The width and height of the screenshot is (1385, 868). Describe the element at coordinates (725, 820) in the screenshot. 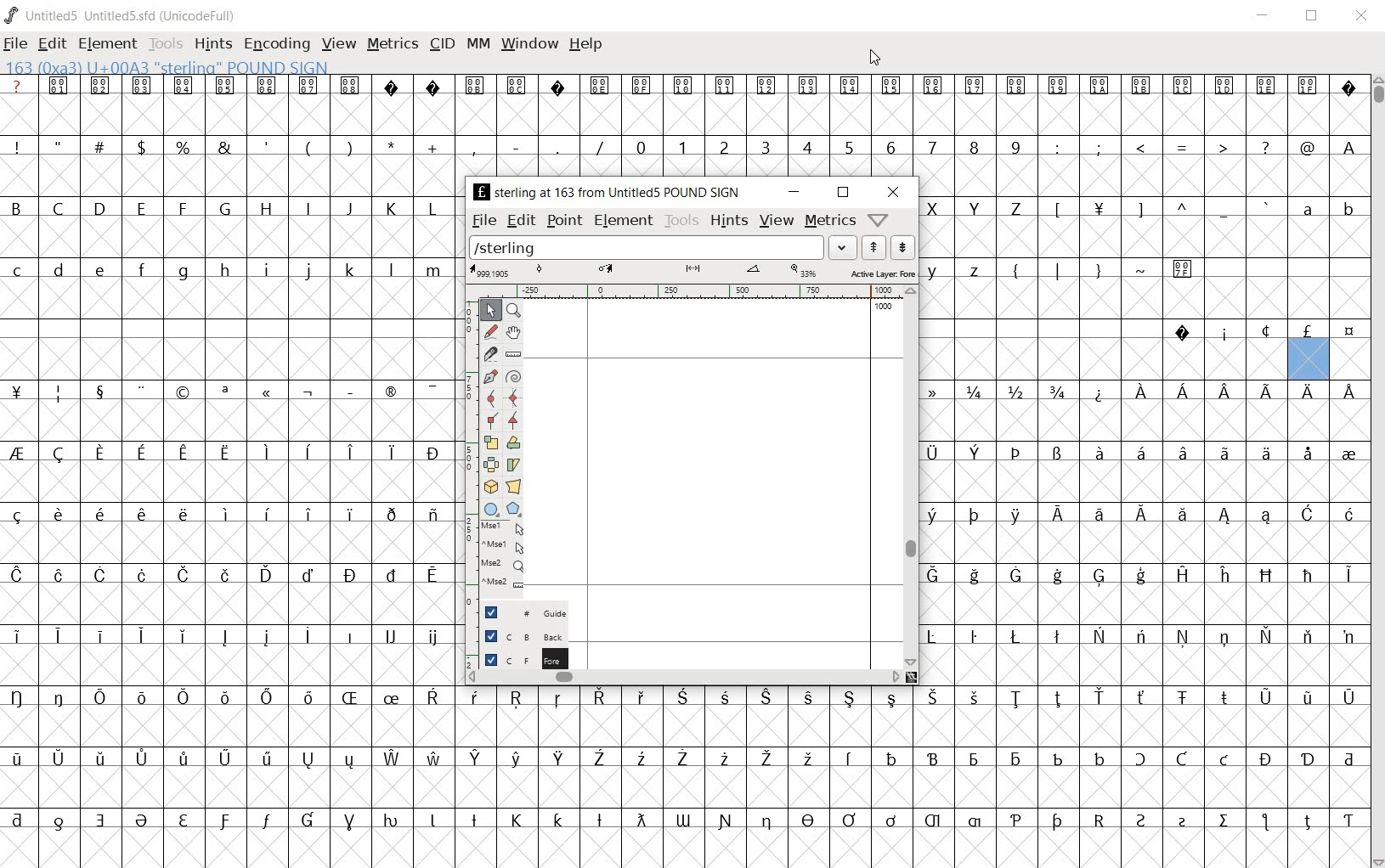

I see `Symbol` at that location.